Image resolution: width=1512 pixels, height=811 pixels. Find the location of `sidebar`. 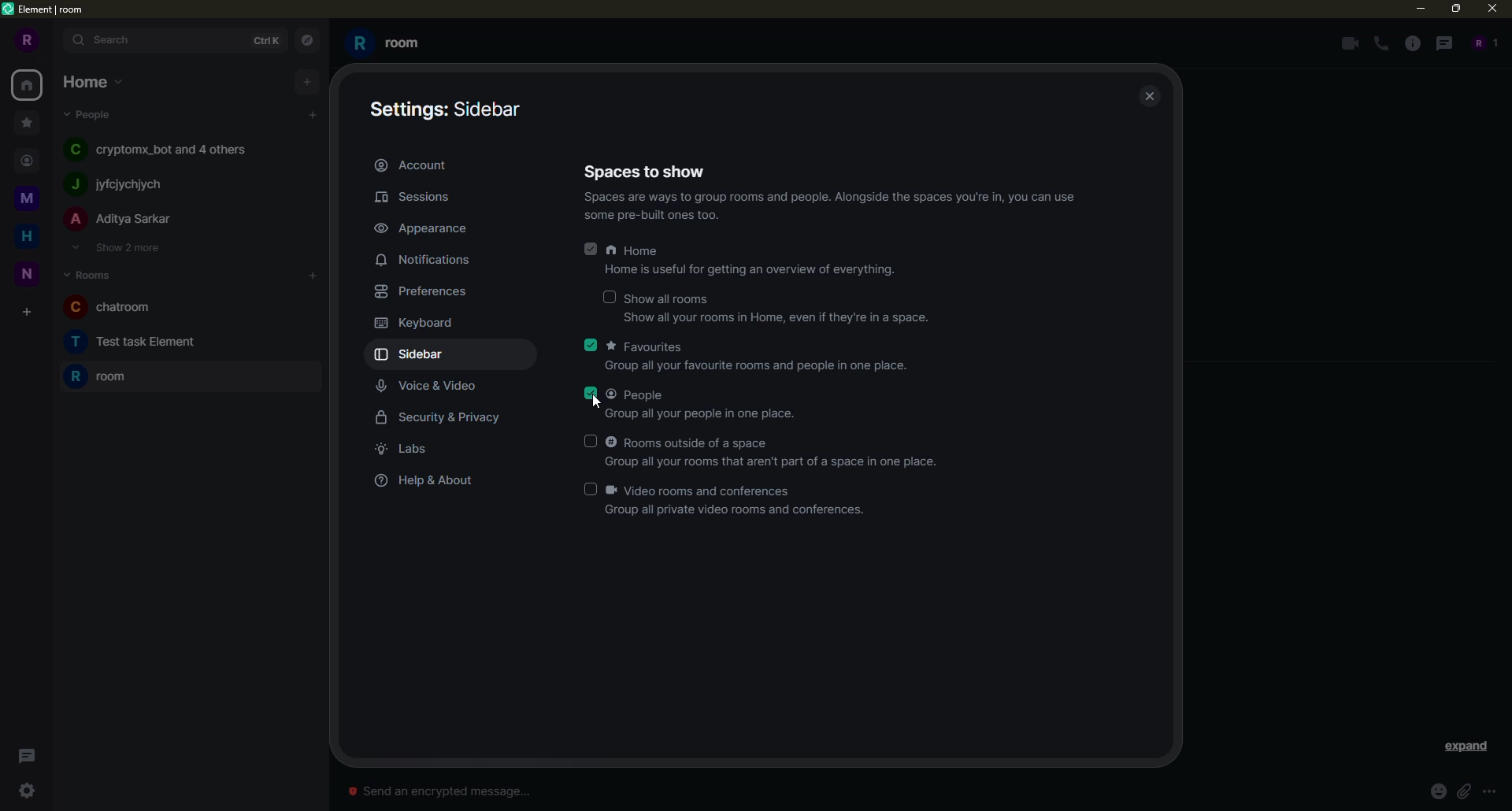

sidebar is located at coordinates (449, 109).